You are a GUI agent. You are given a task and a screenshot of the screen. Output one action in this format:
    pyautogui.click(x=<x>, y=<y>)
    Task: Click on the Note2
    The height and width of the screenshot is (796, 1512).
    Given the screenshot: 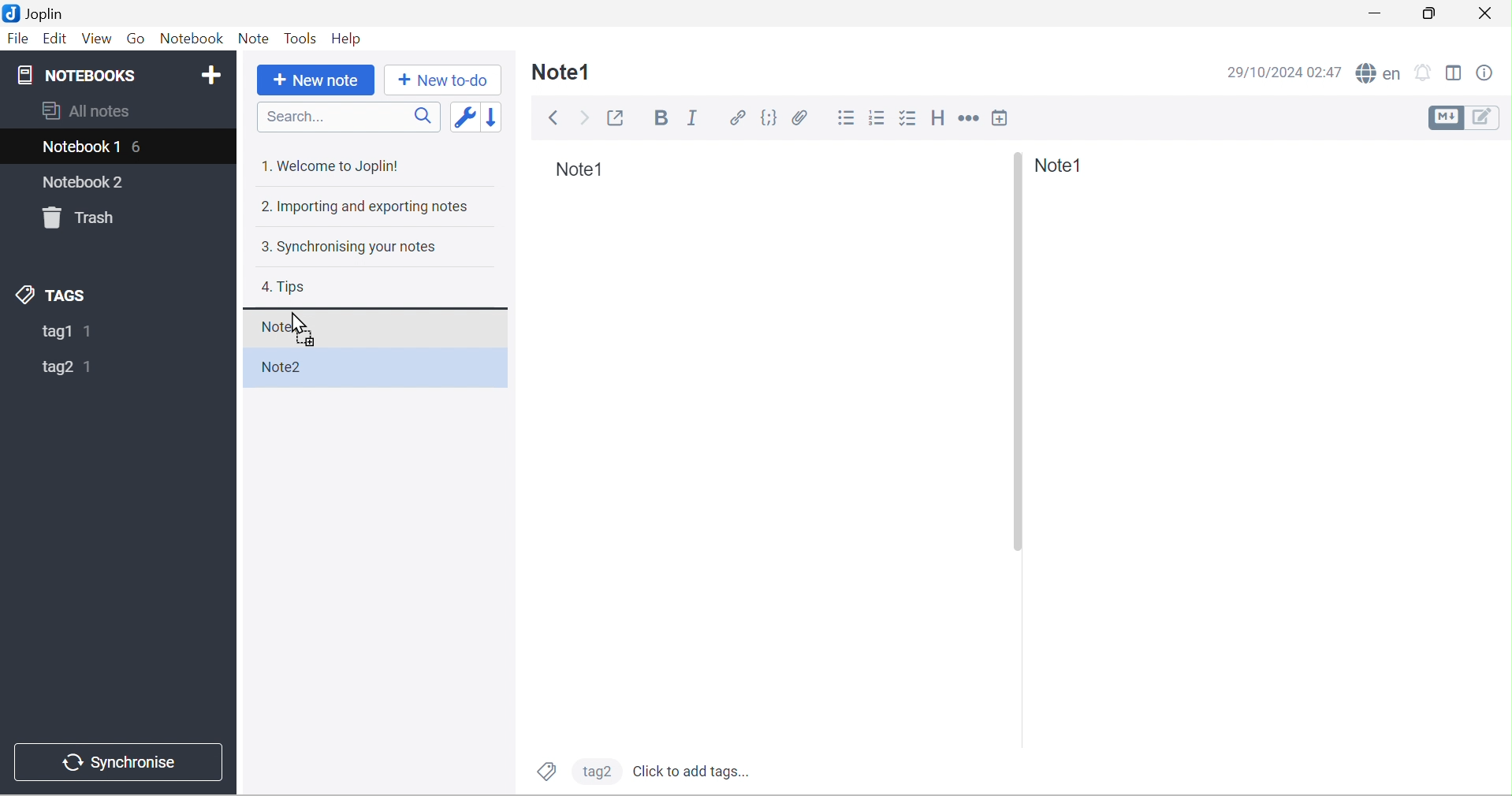 What is the action you would take?
    pyautogui.click(x=282, y=367)
    